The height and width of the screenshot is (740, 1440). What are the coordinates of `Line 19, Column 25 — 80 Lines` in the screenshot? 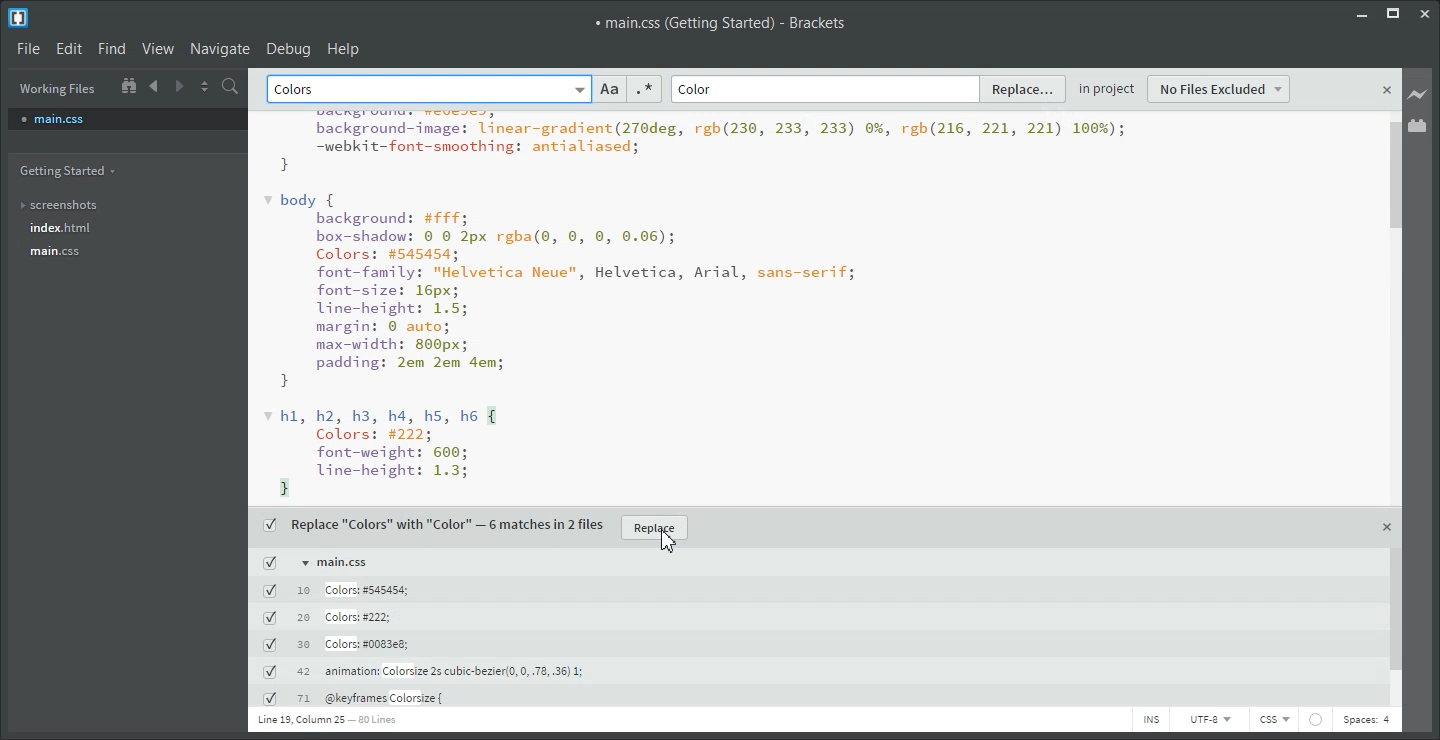 It's located at (326, 719).